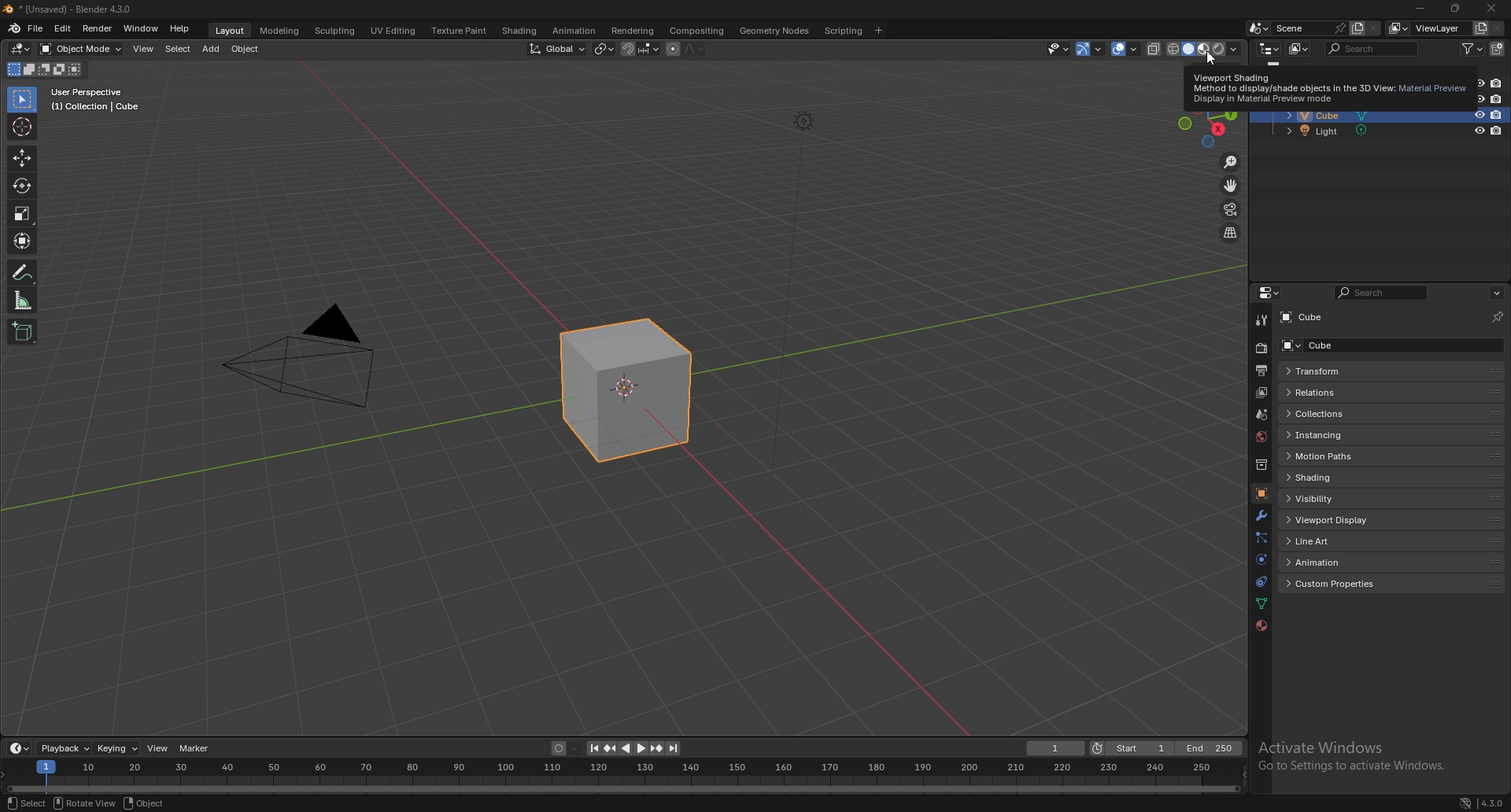 The height and width of the screenshot is (812, 1511). Describe the element at coordinates (1363, 371) in the screenshot. I see `transform` at that location.